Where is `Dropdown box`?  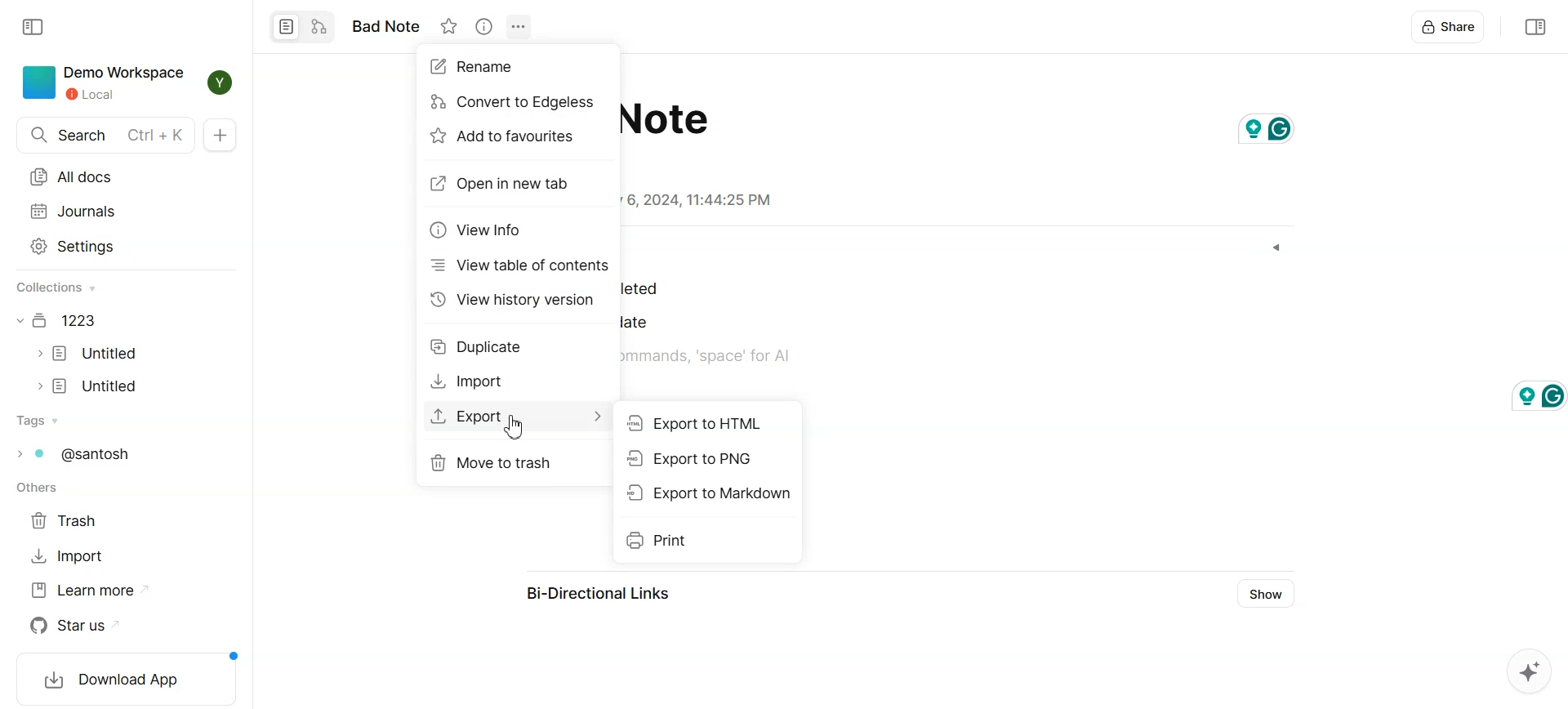
Dropdown box is located at coordinates (1276, 247).